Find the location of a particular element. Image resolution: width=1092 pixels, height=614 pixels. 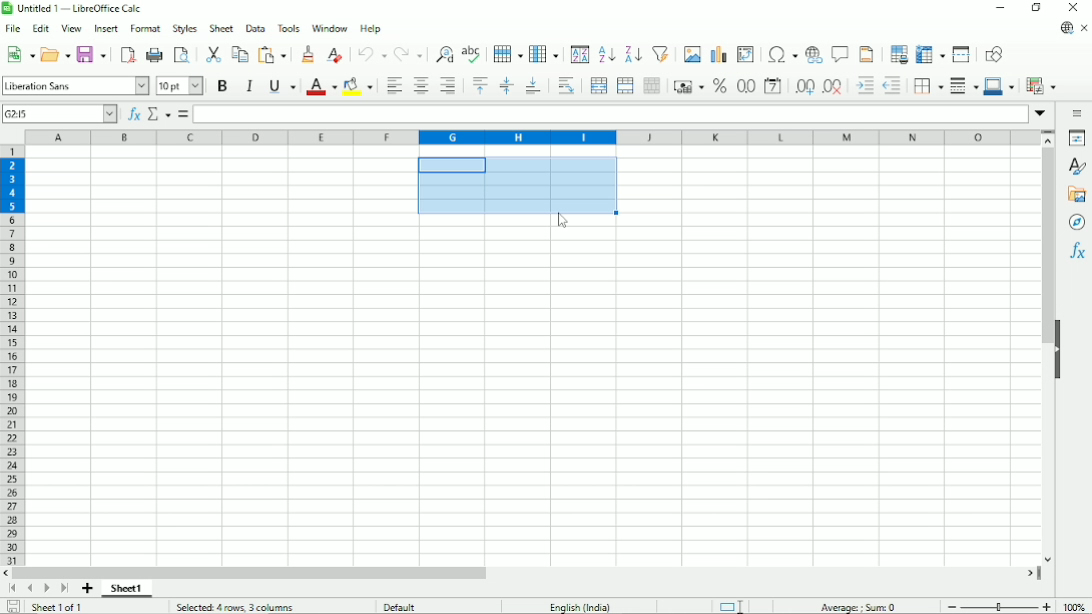

Sheet is located at coordinates (223, 27).